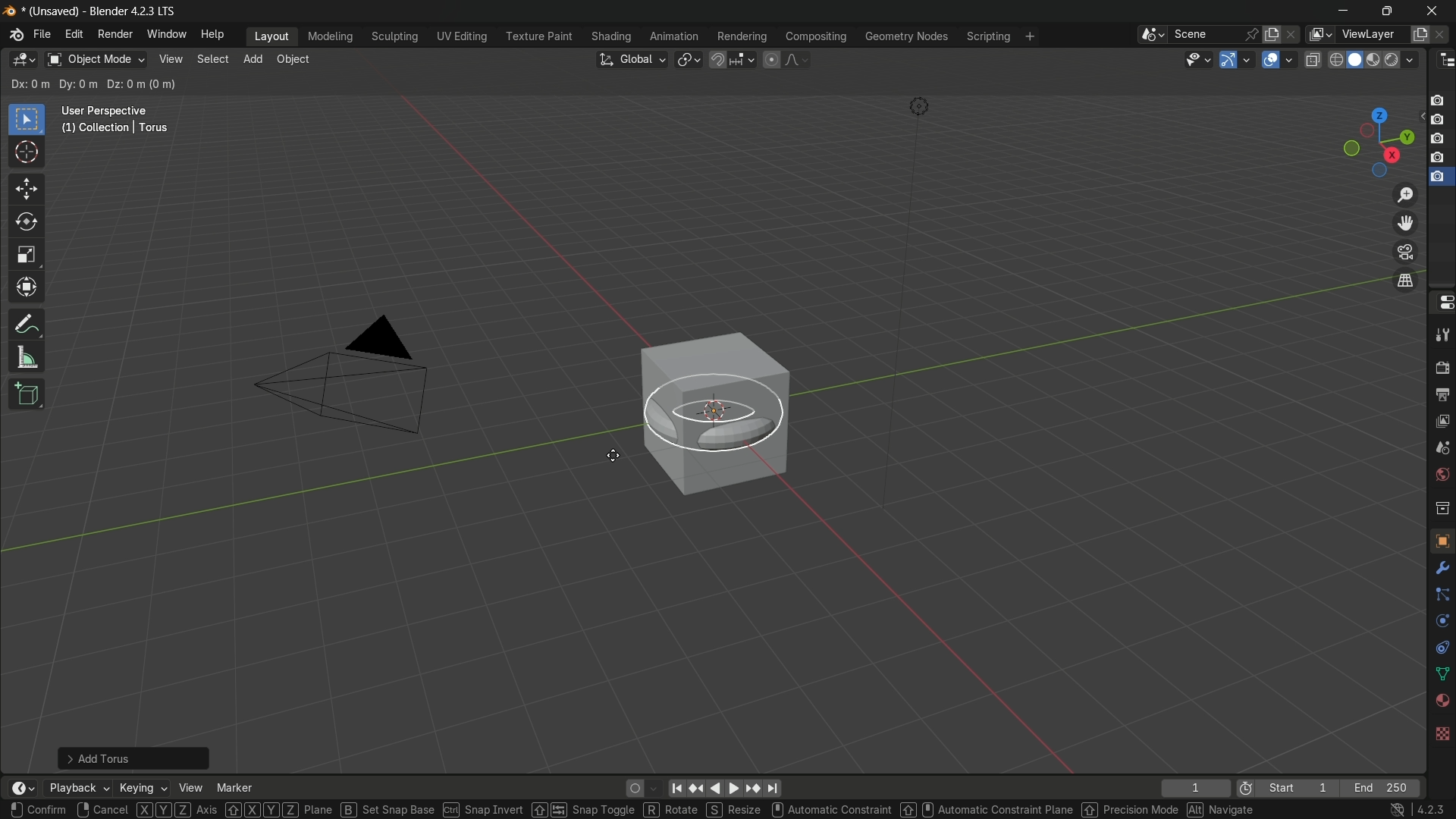 This screenshot has height=819, width=1456. I want to click on physics, so click(1441, 622).